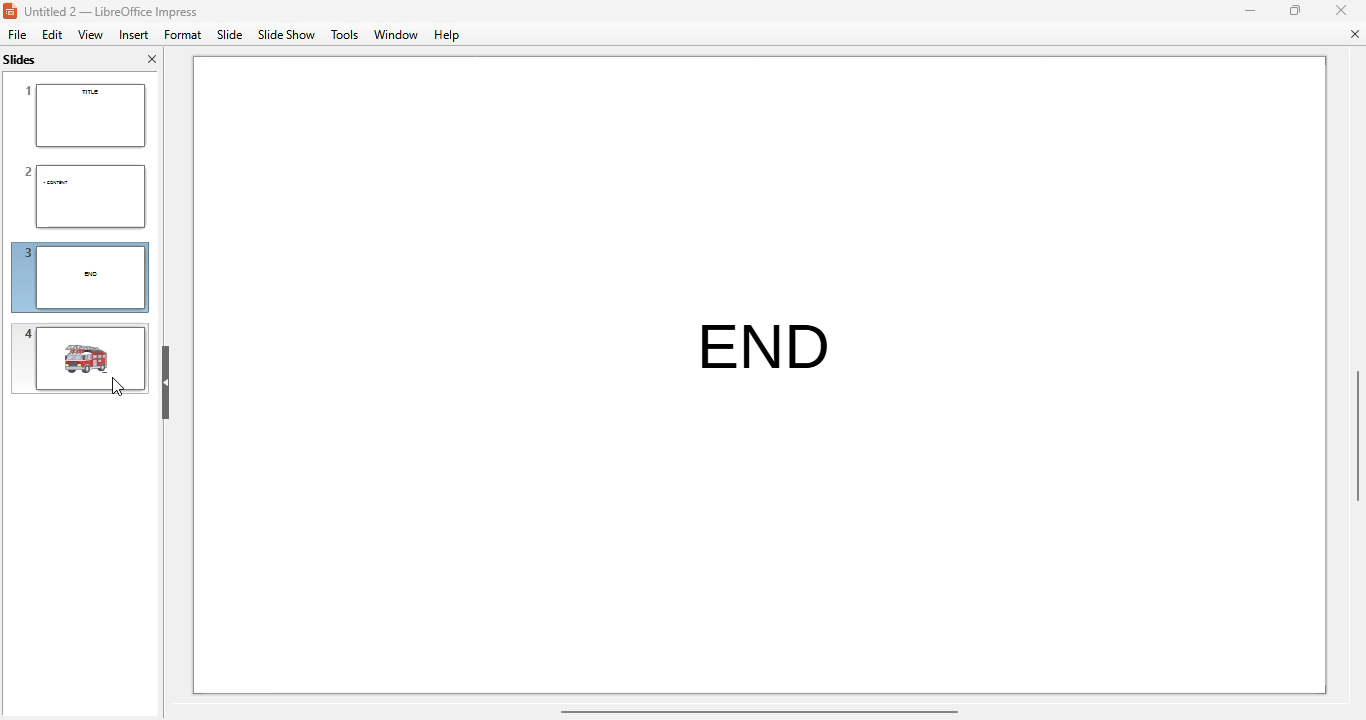  I want to click on close pane, so click(152, 59).